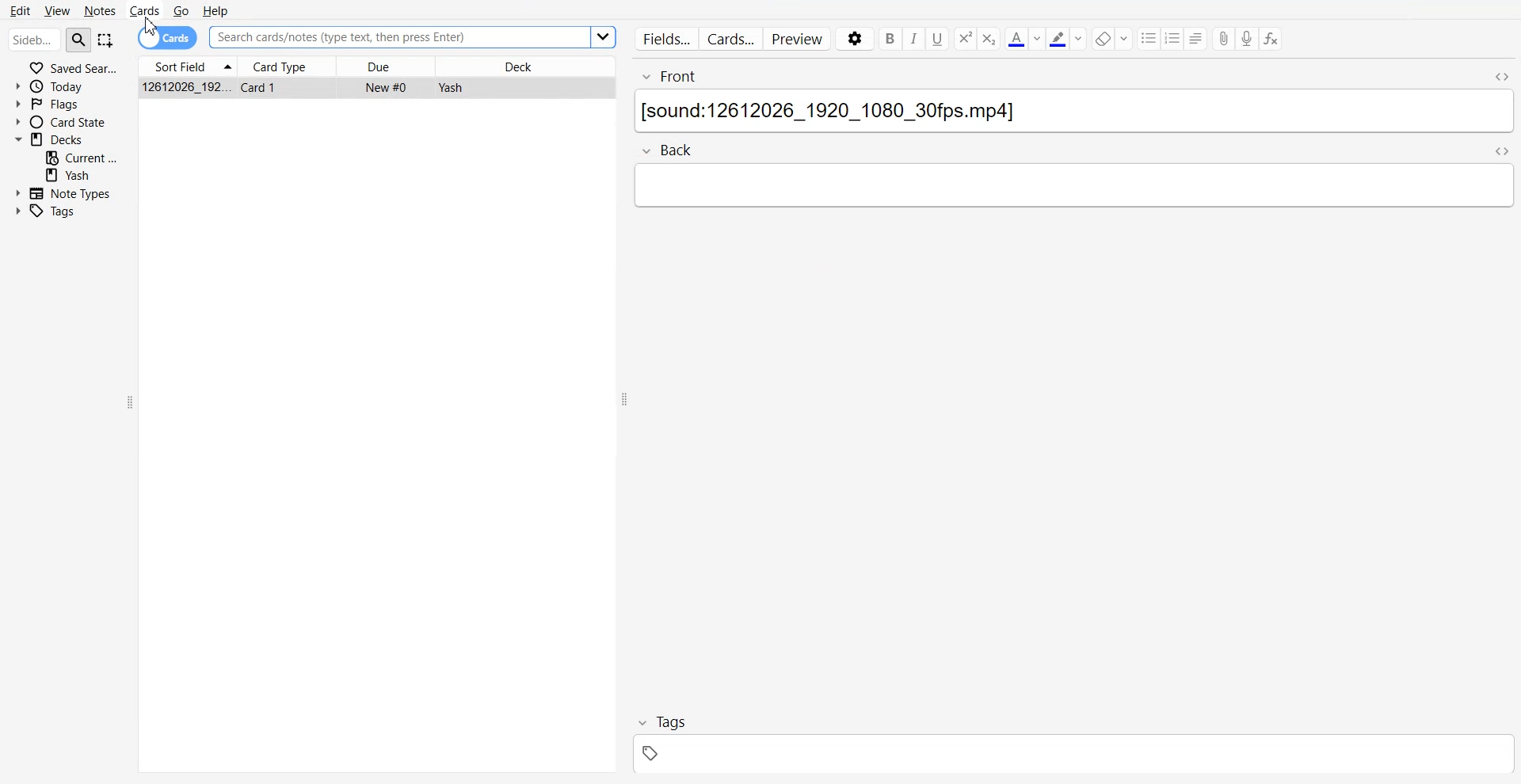 The image size is (1521, 784). Describe the element at coordinates (386, 66) in the screenshot. I see `Due` at that location.